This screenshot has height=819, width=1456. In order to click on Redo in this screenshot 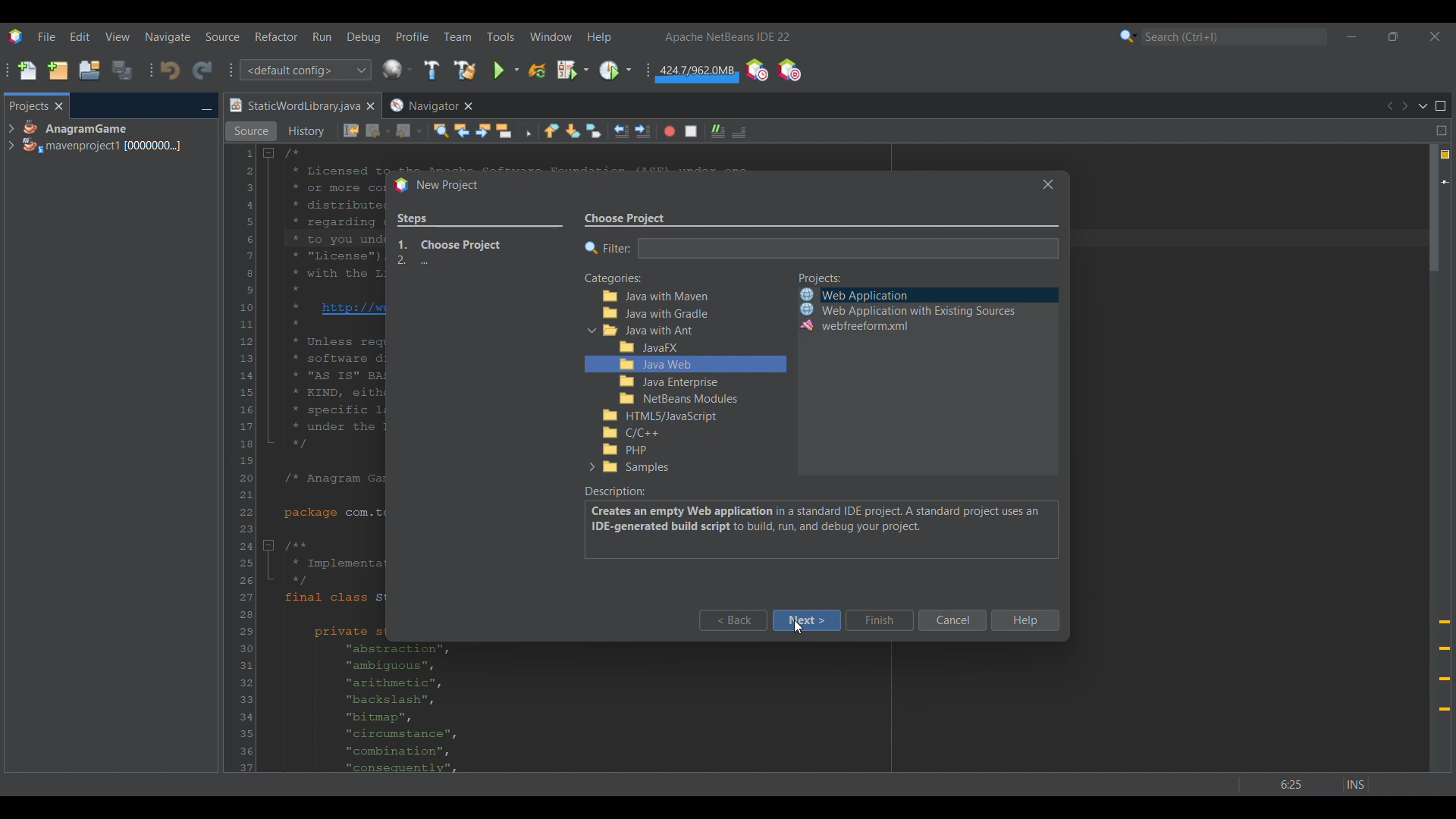, I will do `click(202, 70)`.